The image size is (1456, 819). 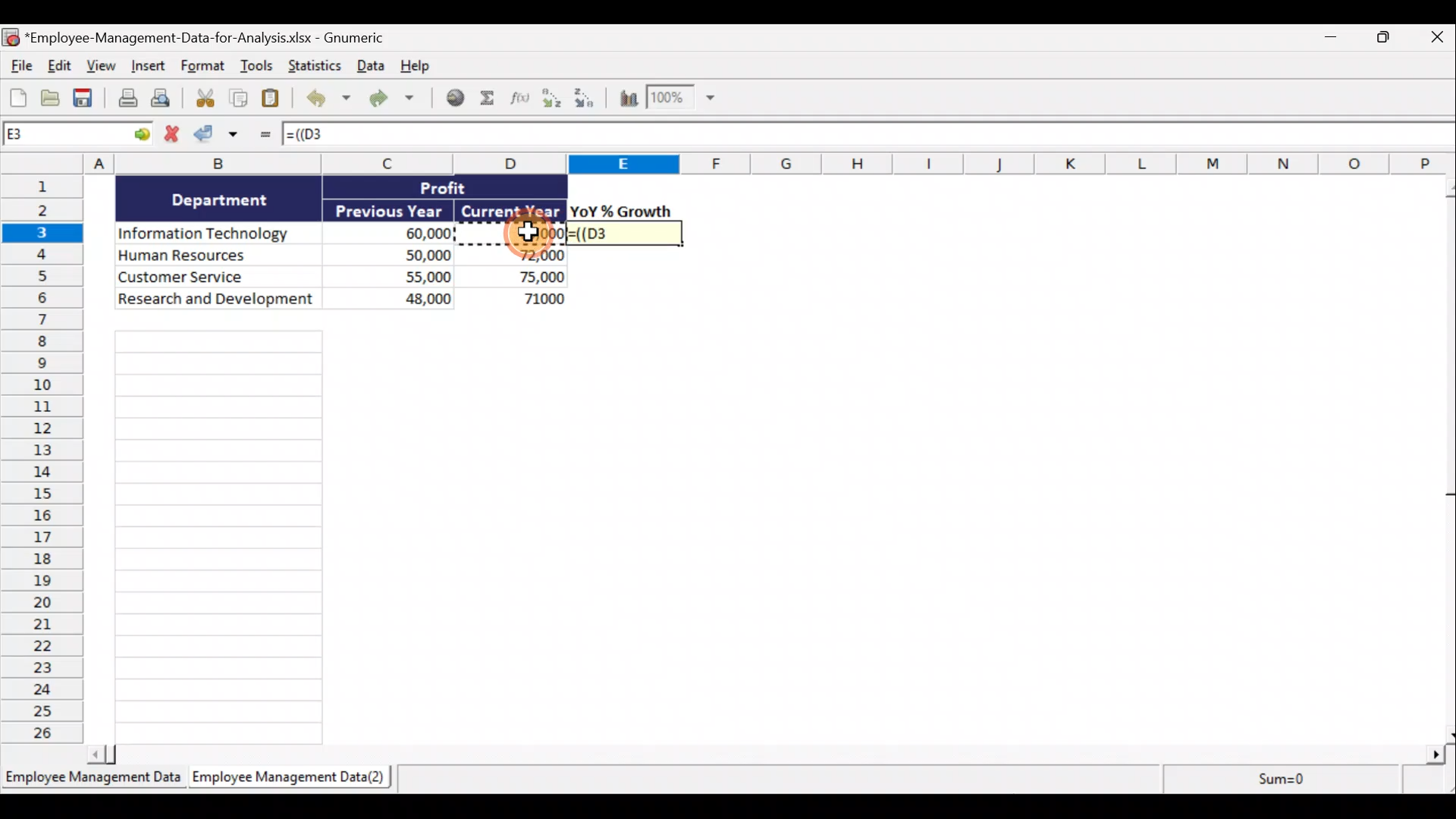 I want to click on View, so click(x=99, y=65).